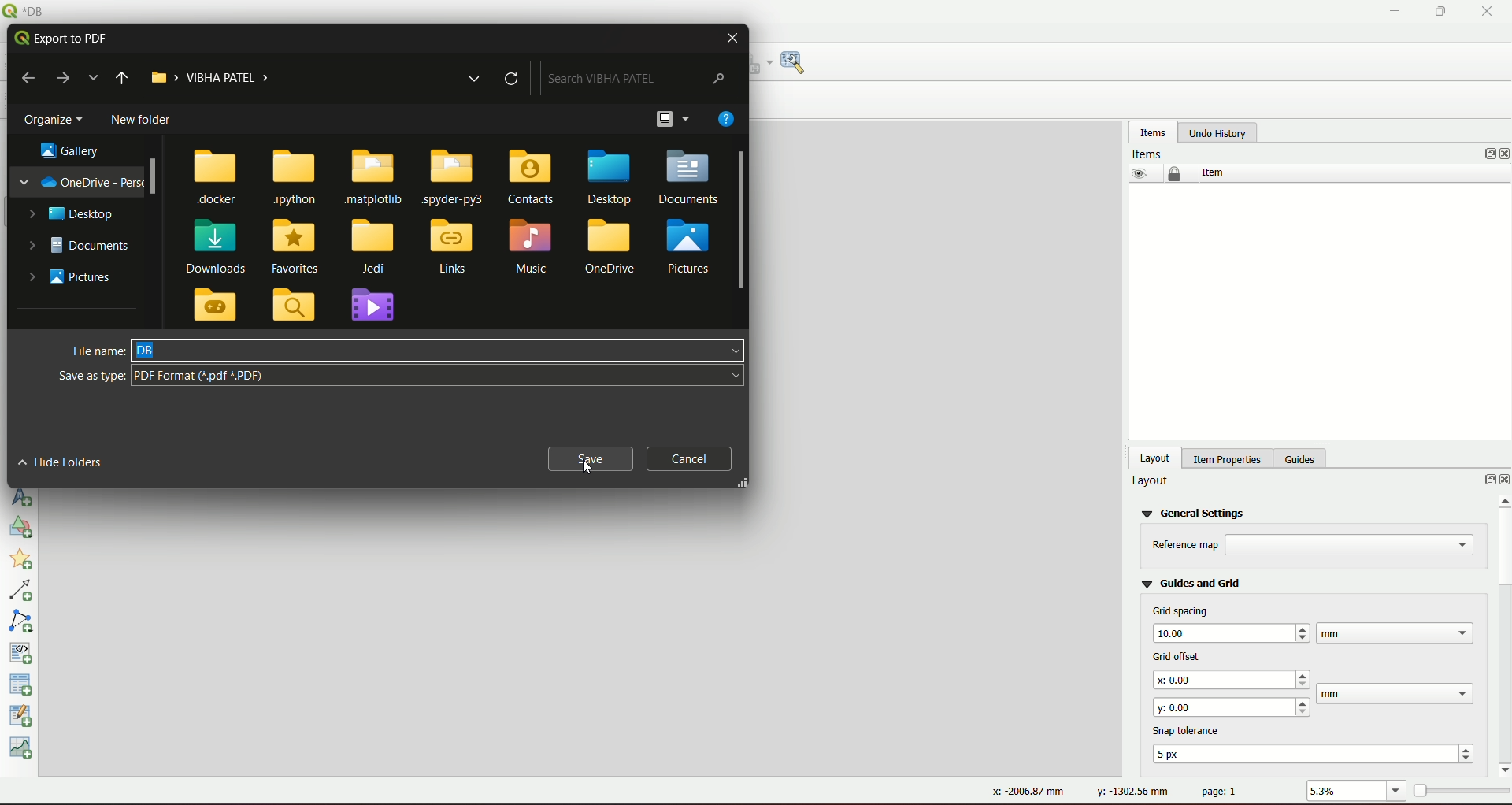  I want to click on favorites, so click(297, 247).